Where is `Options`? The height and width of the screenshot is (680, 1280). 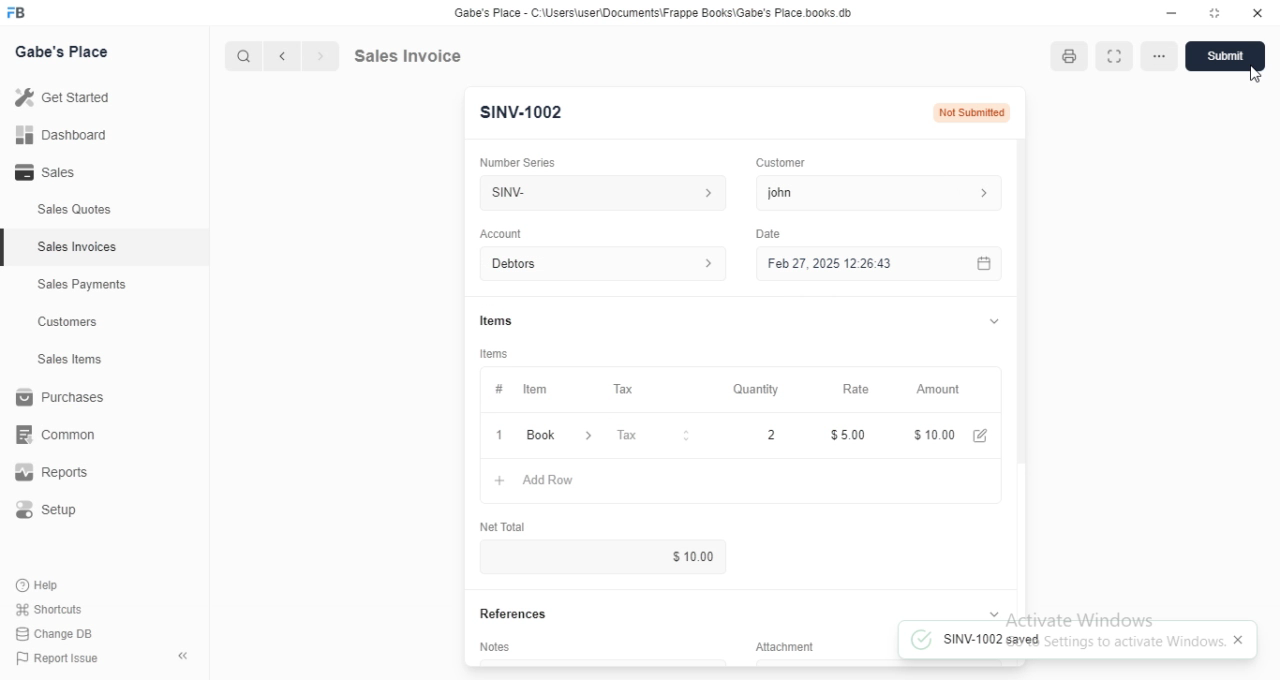
Options is located at coordinates (1162, 56).